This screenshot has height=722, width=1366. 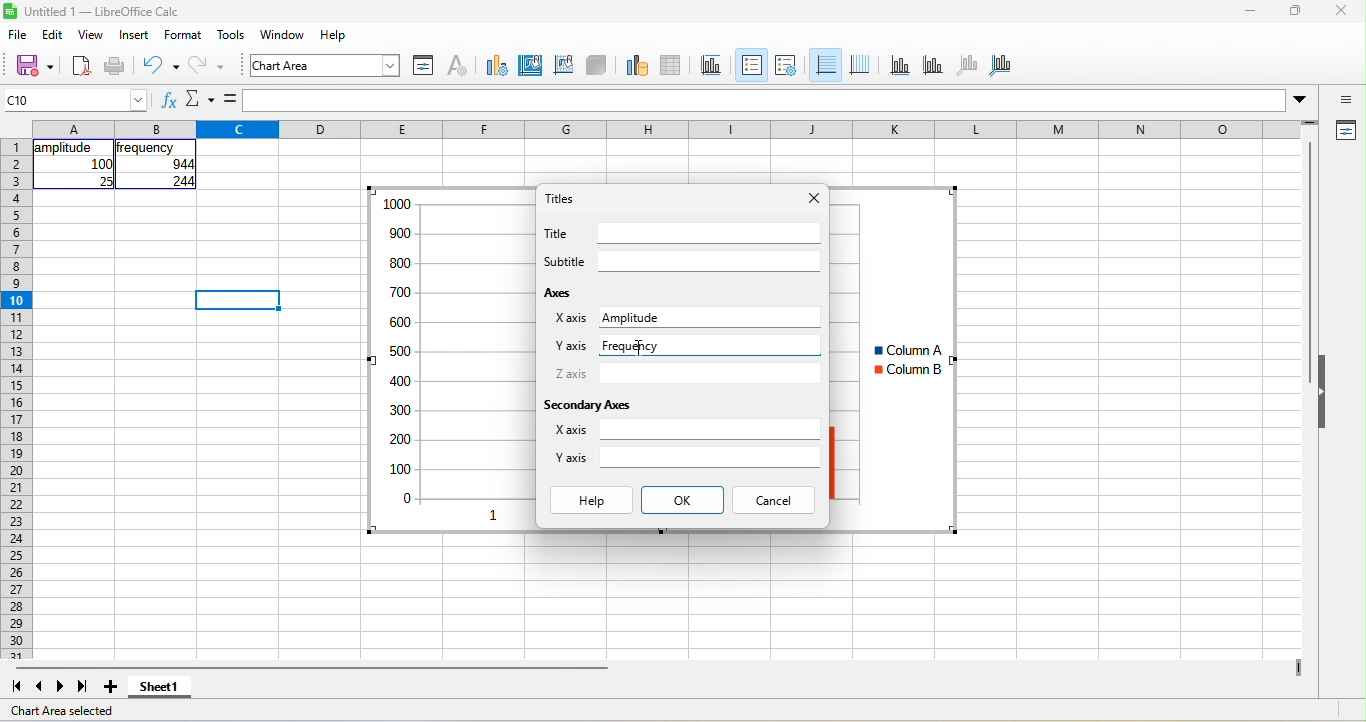 I want to click on Subtitle, so click(x=565, y=261).